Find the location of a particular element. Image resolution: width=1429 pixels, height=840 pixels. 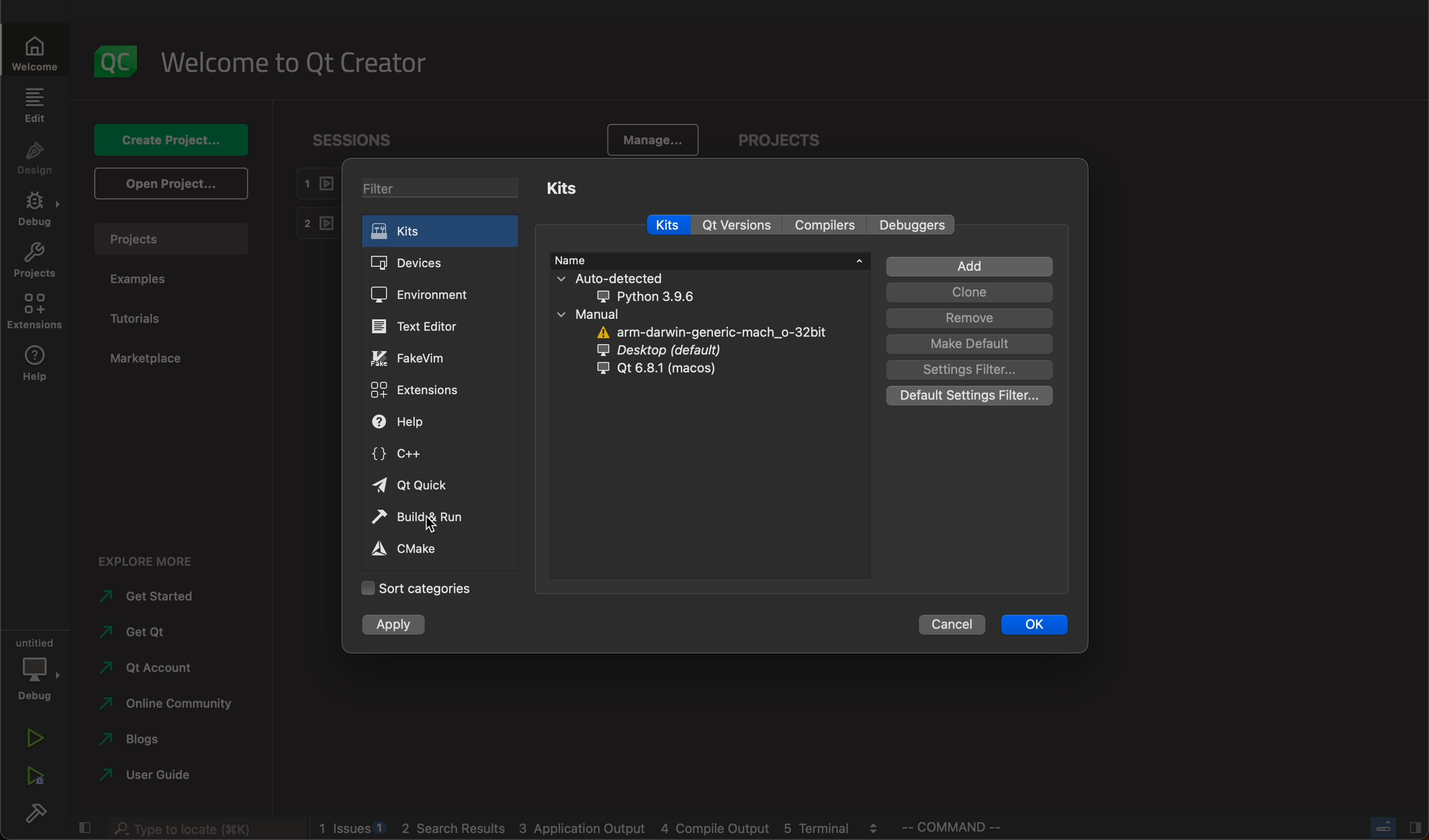

examples is located at coordinates (139, 277).